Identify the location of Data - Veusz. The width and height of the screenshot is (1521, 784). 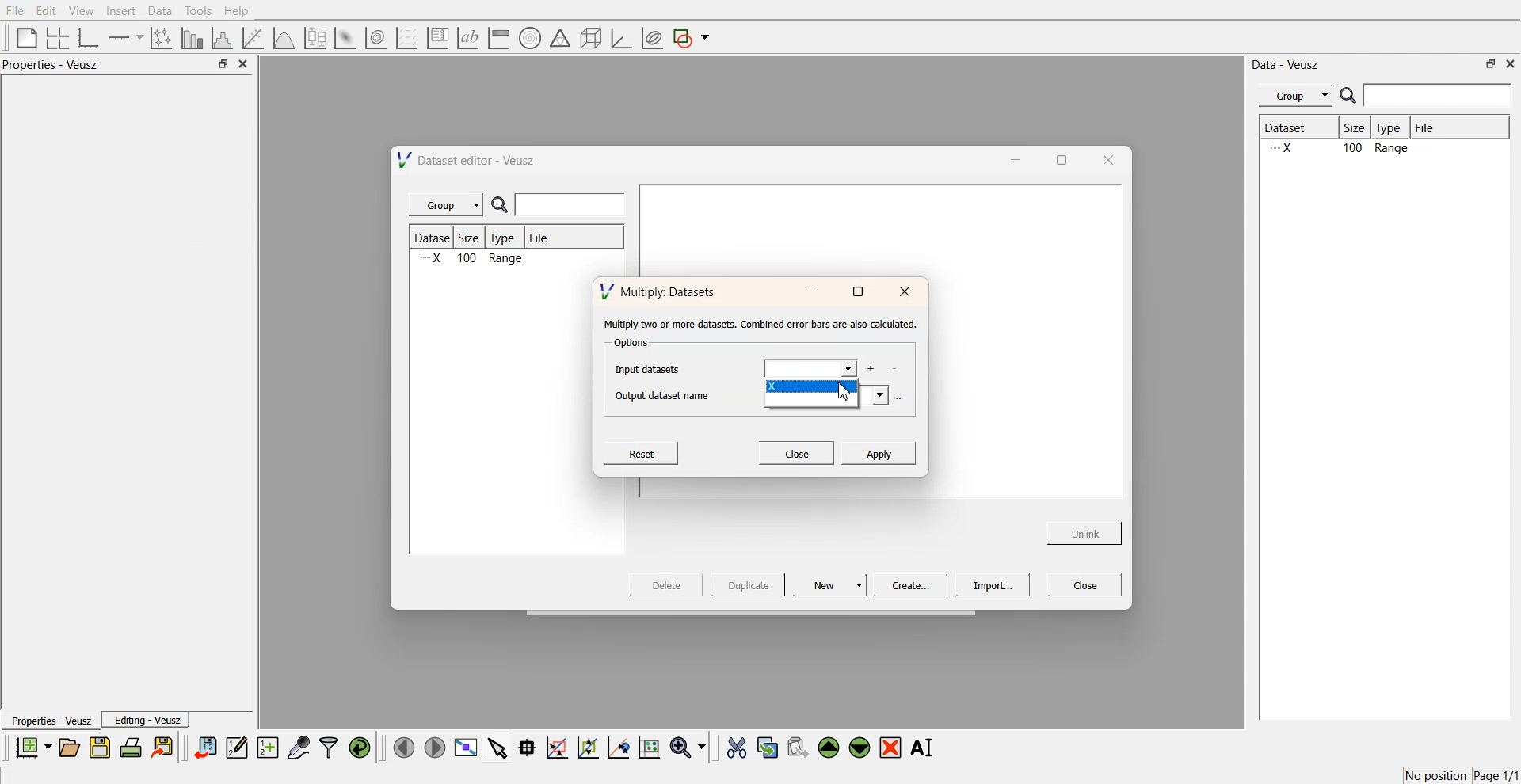
(1287, 65).